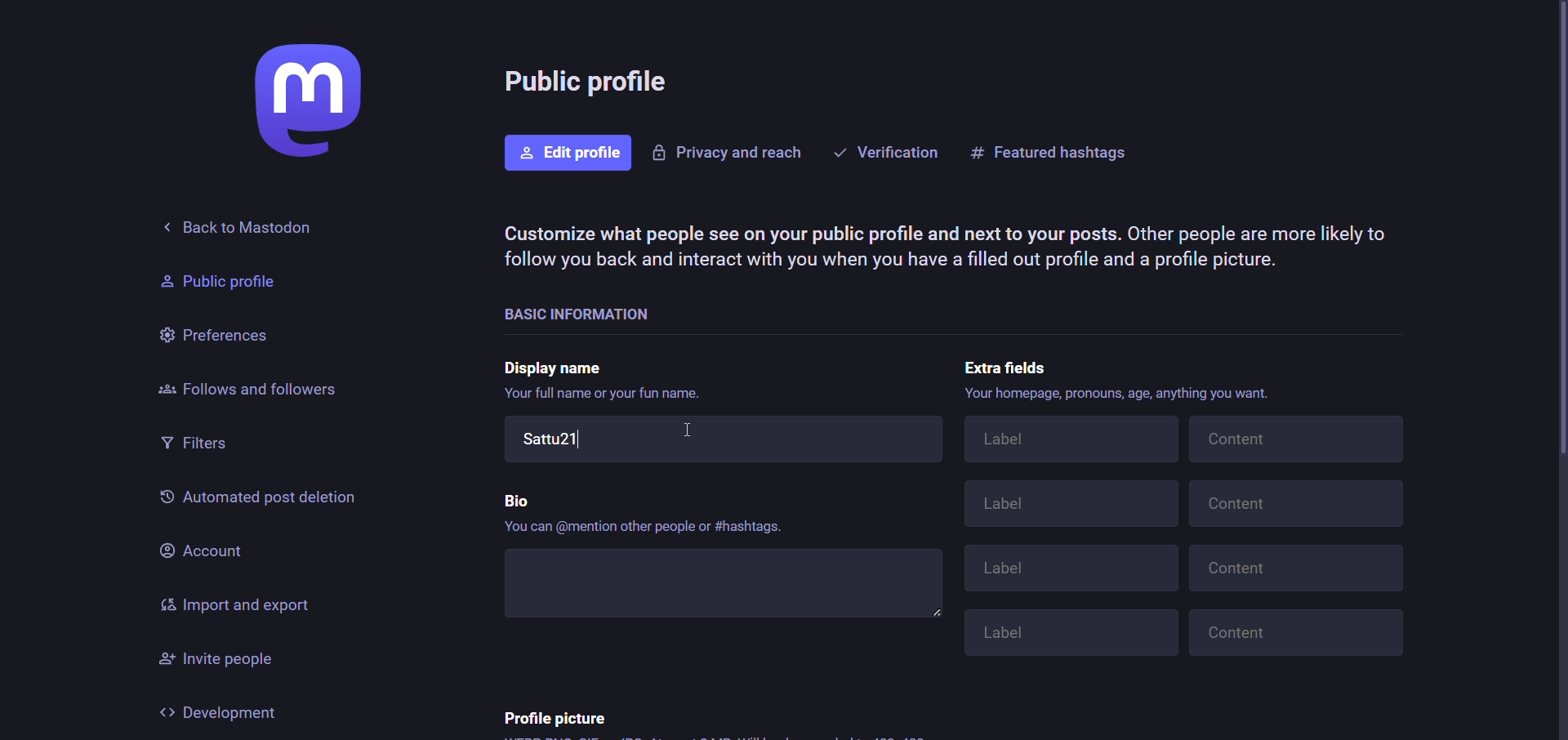 Image resolution: width=1568 pixels, height=740 pixels. I want to click on Label, so click(1076, 570).